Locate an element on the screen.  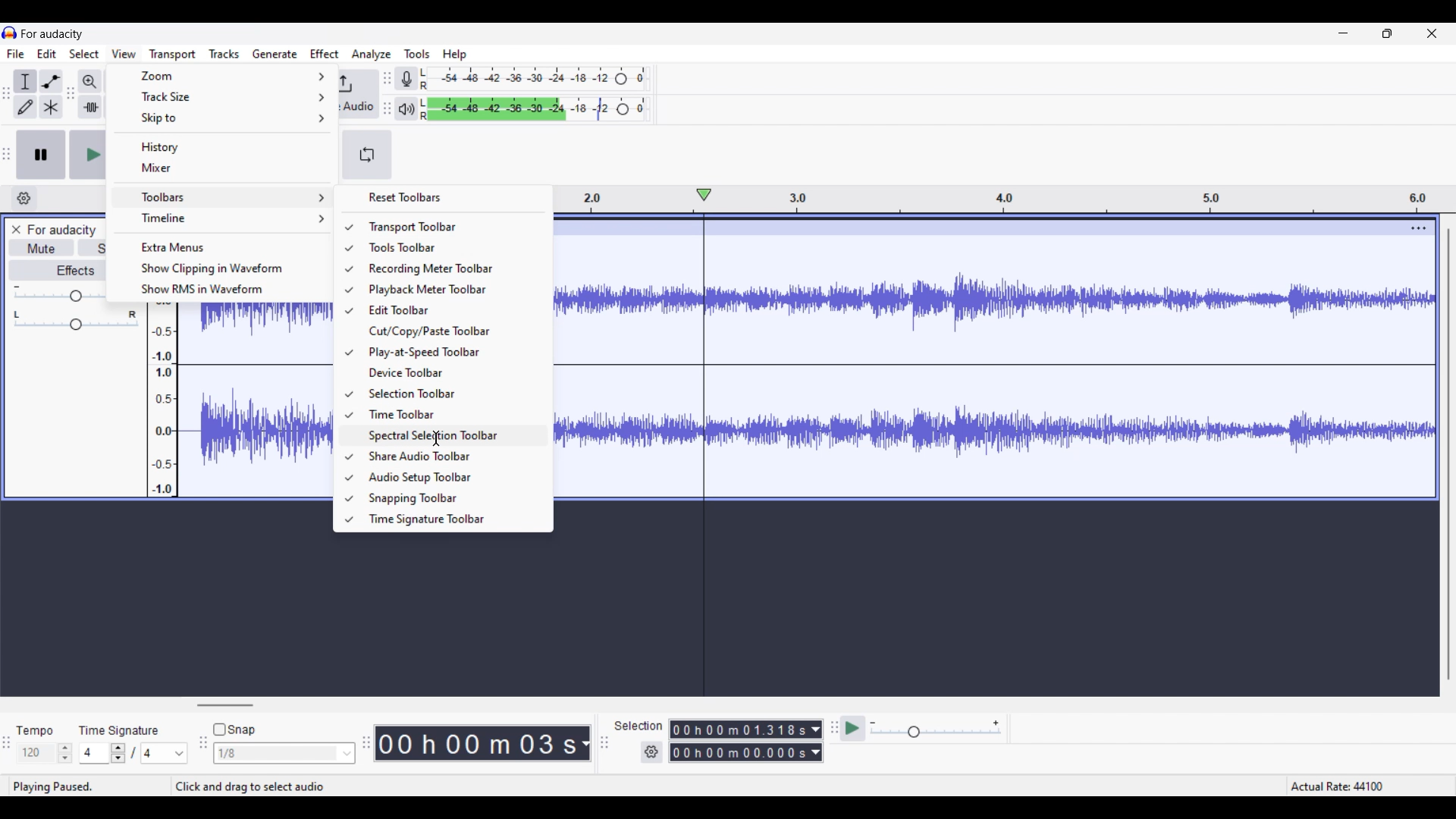
Show in smaller tab is located at coordinates (1387, 33).